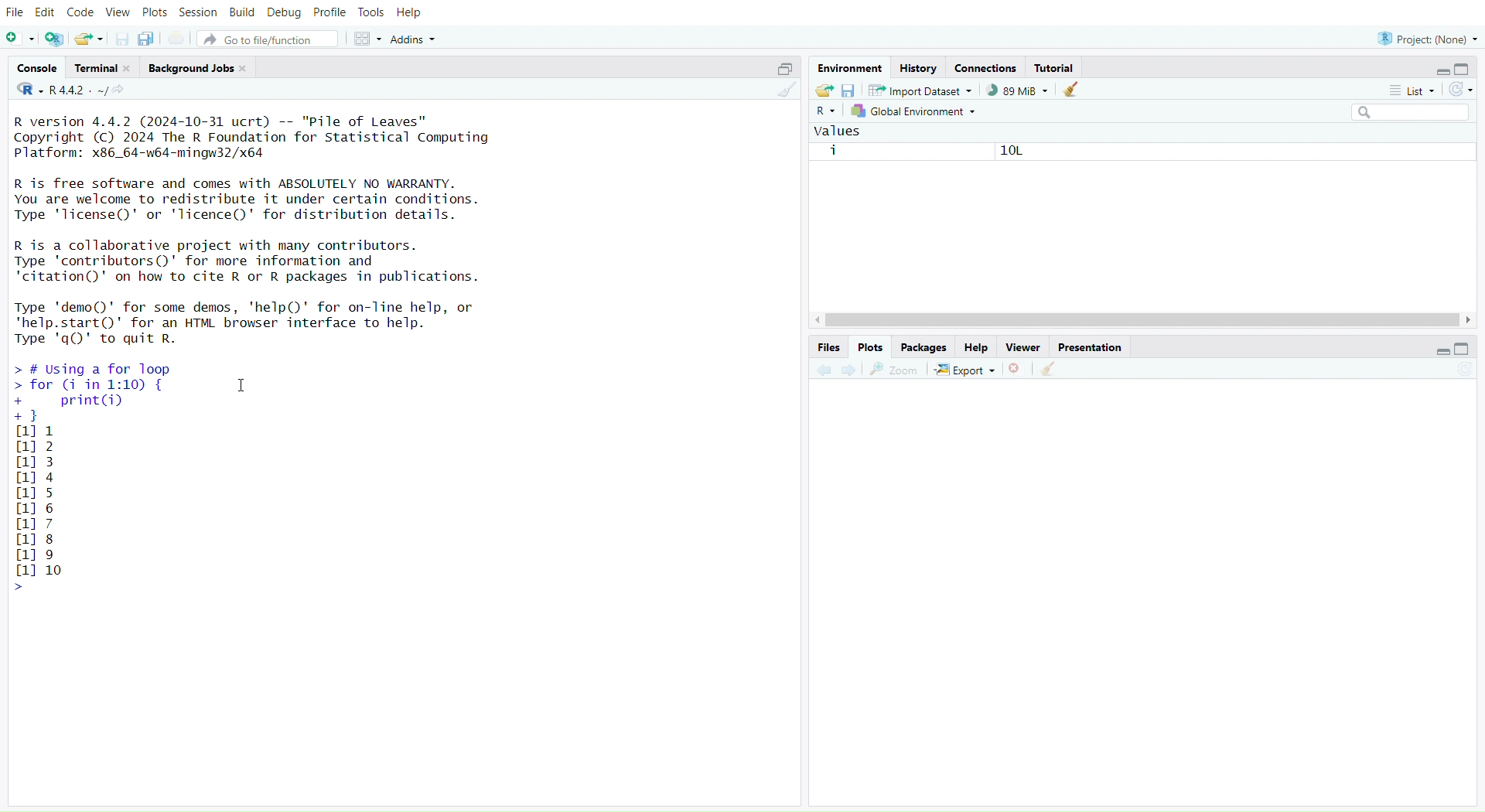 Image resolution: width=1485 pixels, height=812 pixels. What do you see at coordinates (89, 39) in the screenshot?
I see `open an existing file` at bounding box center [89, 39].